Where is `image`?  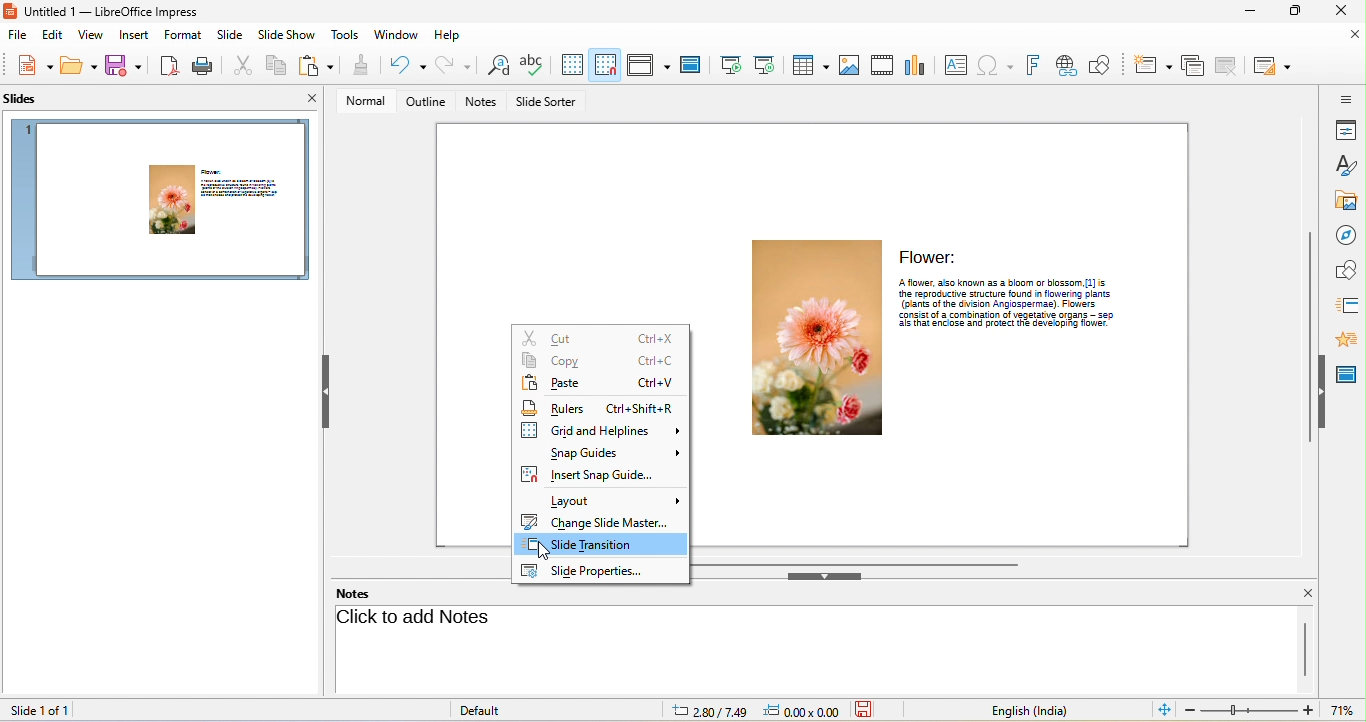 image is located at coordinates (850, 65).